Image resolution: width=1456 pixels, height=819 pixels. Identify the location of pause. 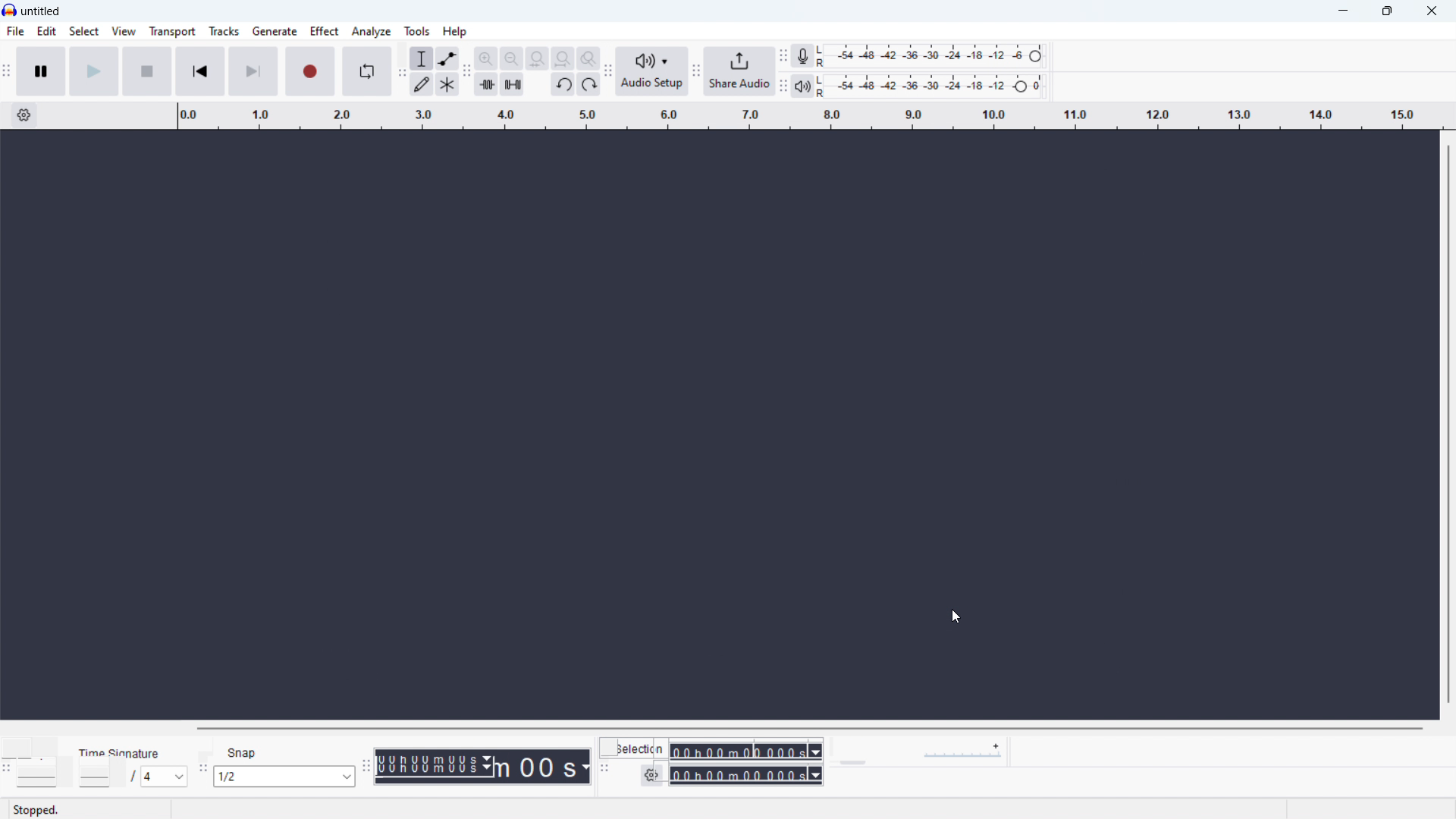
(42, 71).